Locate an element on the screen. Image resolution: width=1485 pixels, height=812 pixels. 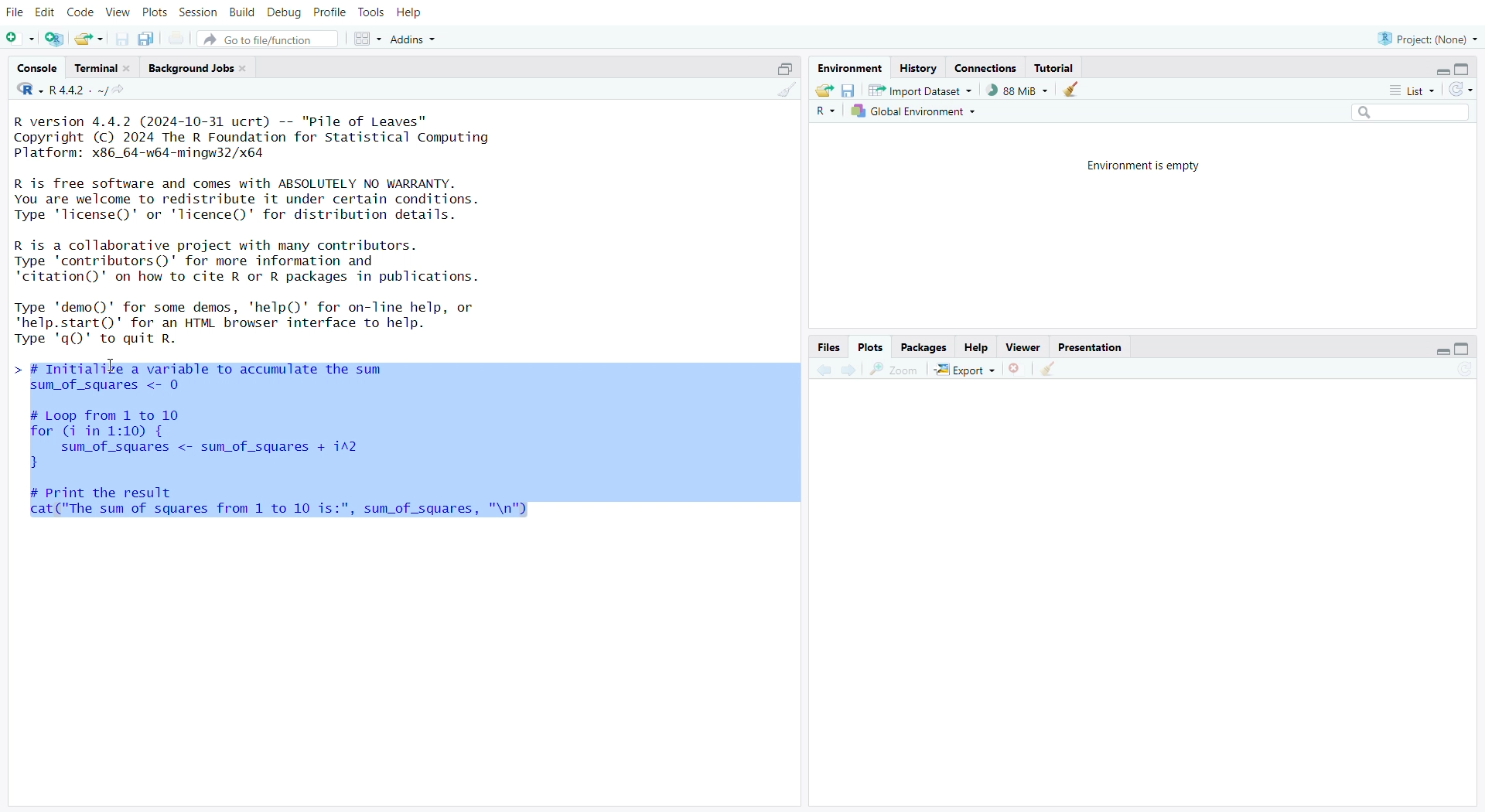
background jobs is located at coordinates (201, 68).